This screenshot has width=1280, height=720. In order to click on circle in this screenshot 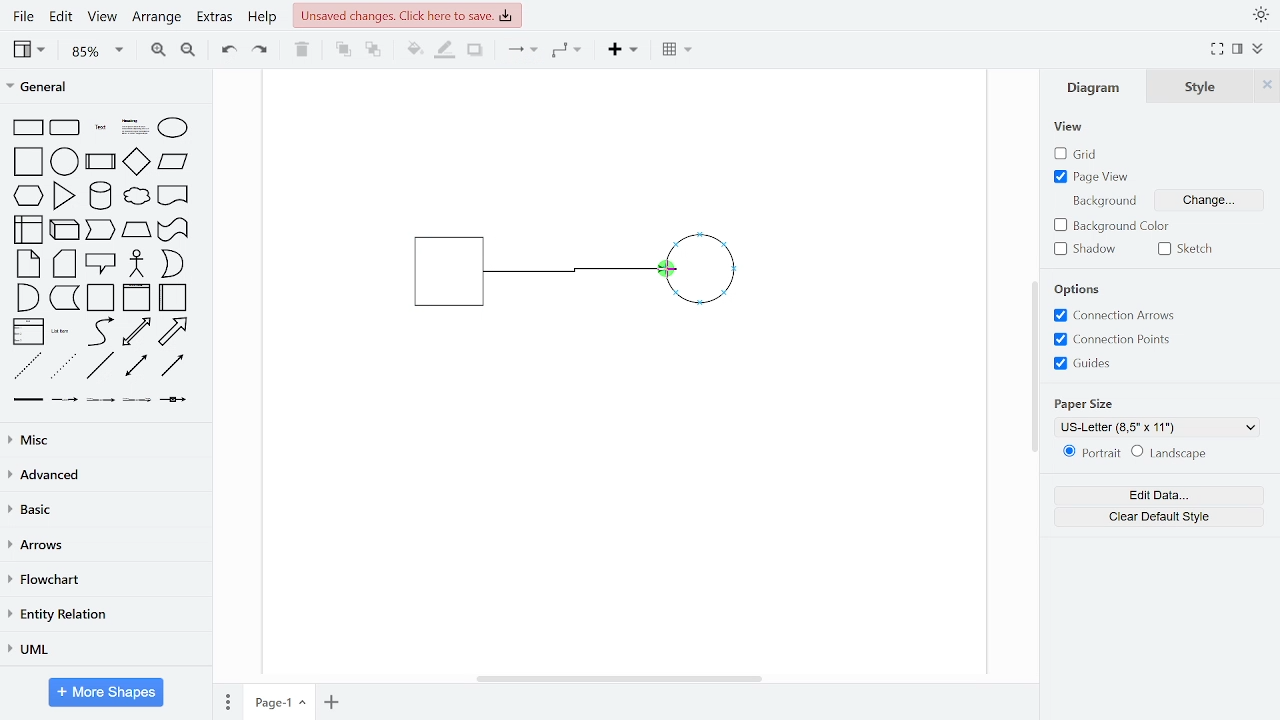, I will do `click(65, 161)`.